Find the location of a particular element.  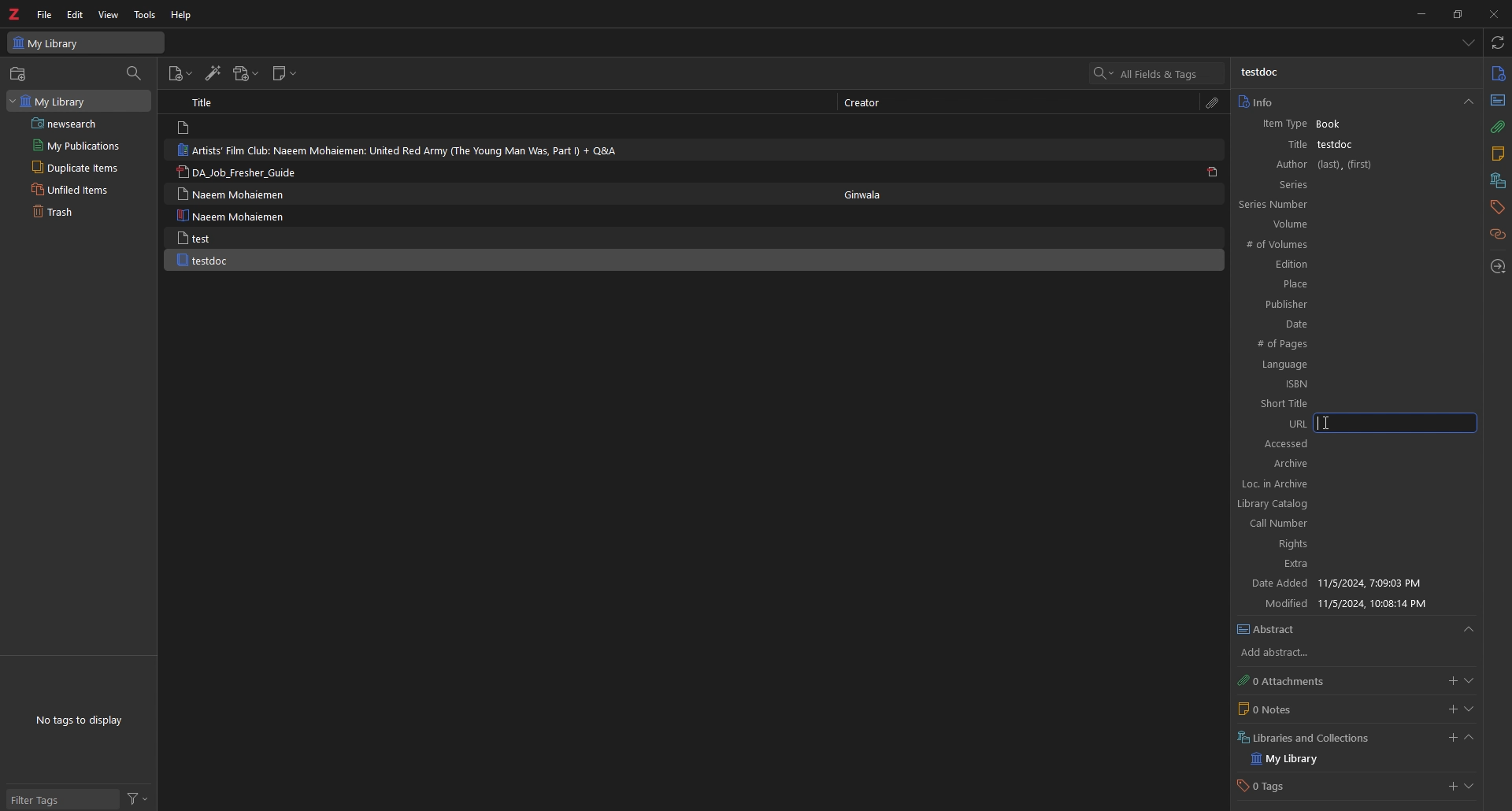

view is located at coordinates (109, 14).